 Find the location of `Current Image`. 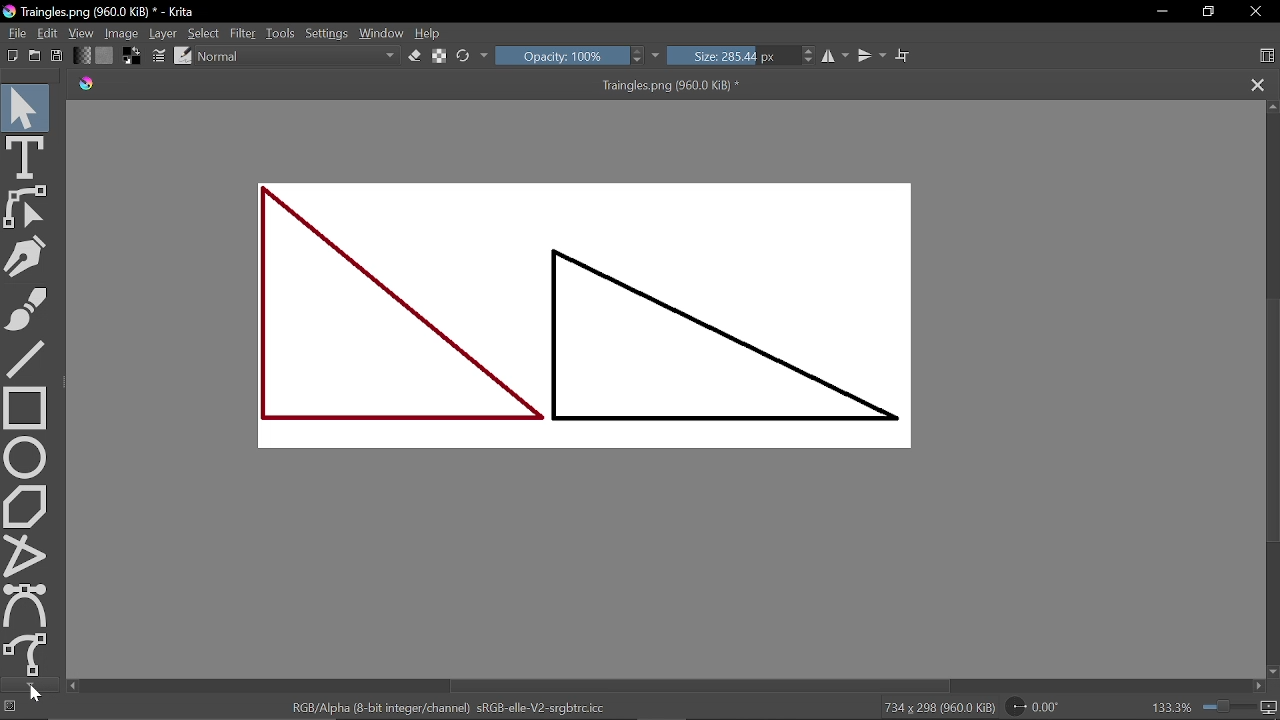

Current Image is located at coordinates (594, 321).